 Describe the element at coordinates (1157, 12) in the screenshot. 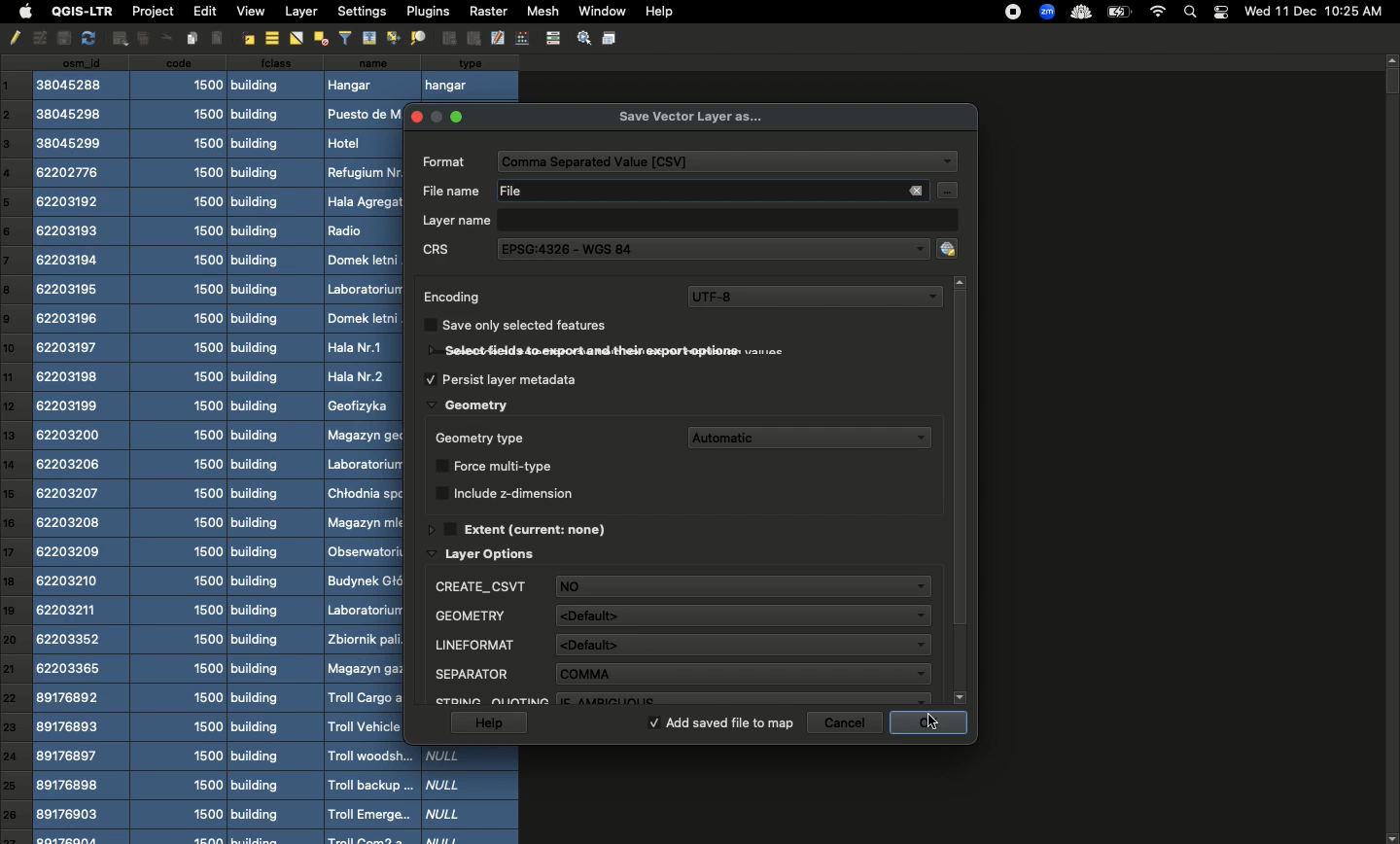

I see `Internet` at that location.